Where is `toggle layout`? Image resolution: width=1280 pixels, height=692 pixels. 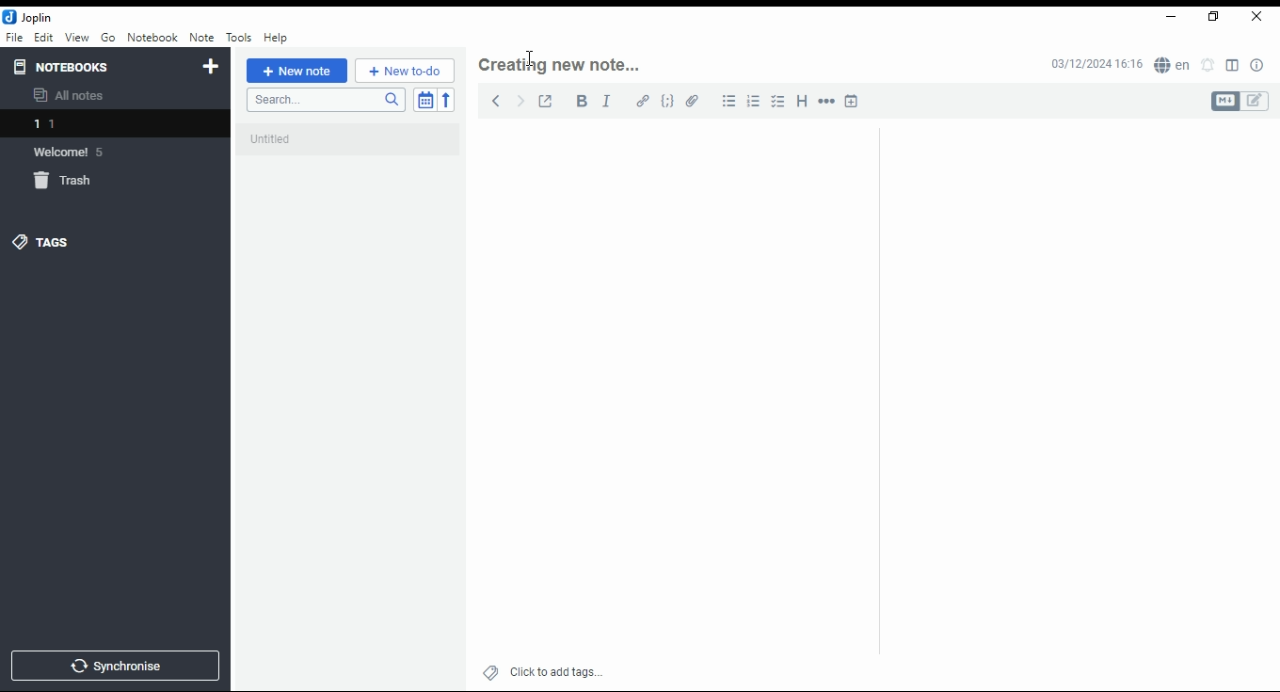 toggle layout is located at coordinates (1233, 66).